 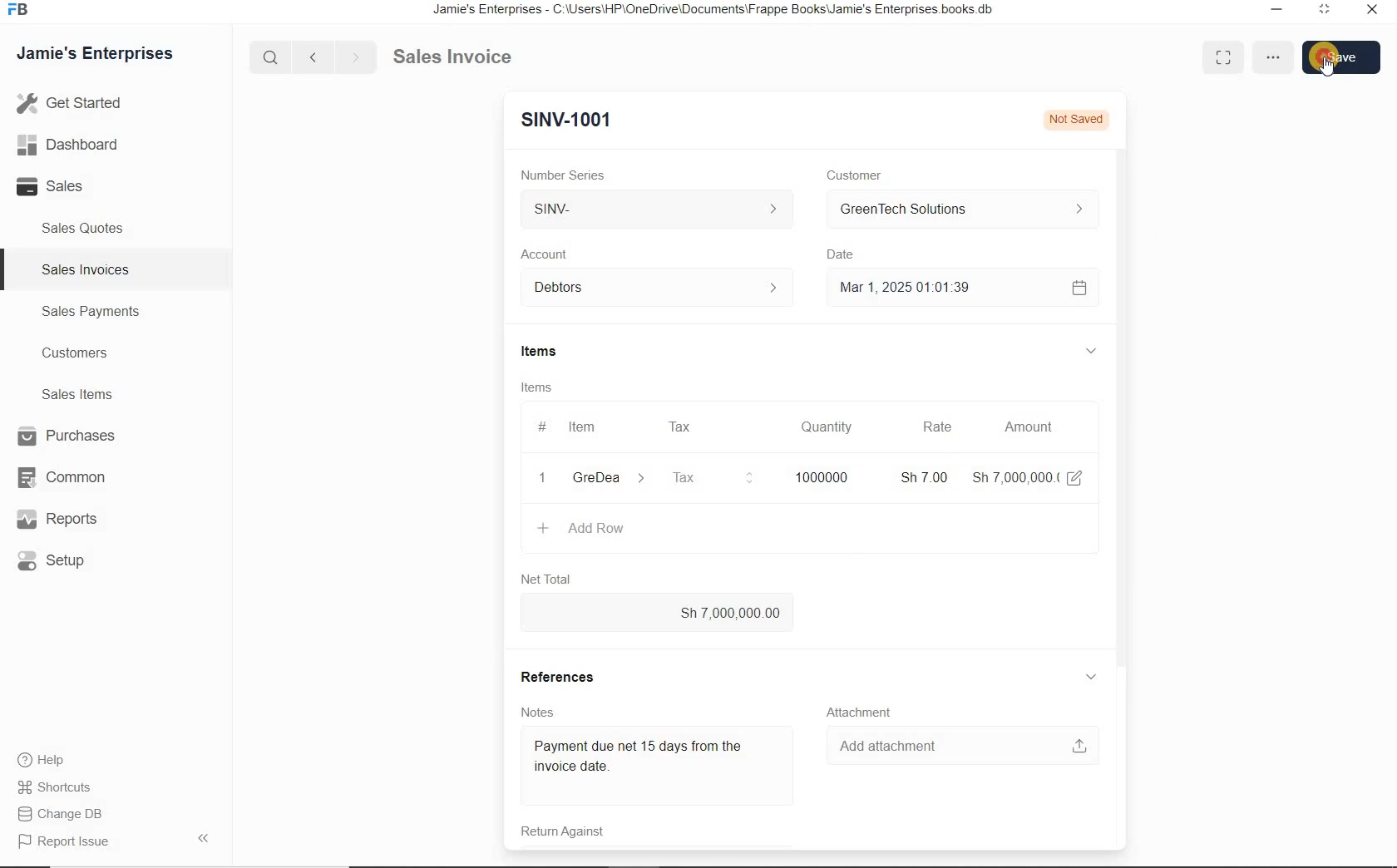 I want to click on SINV-, so click(x=660, y=211).